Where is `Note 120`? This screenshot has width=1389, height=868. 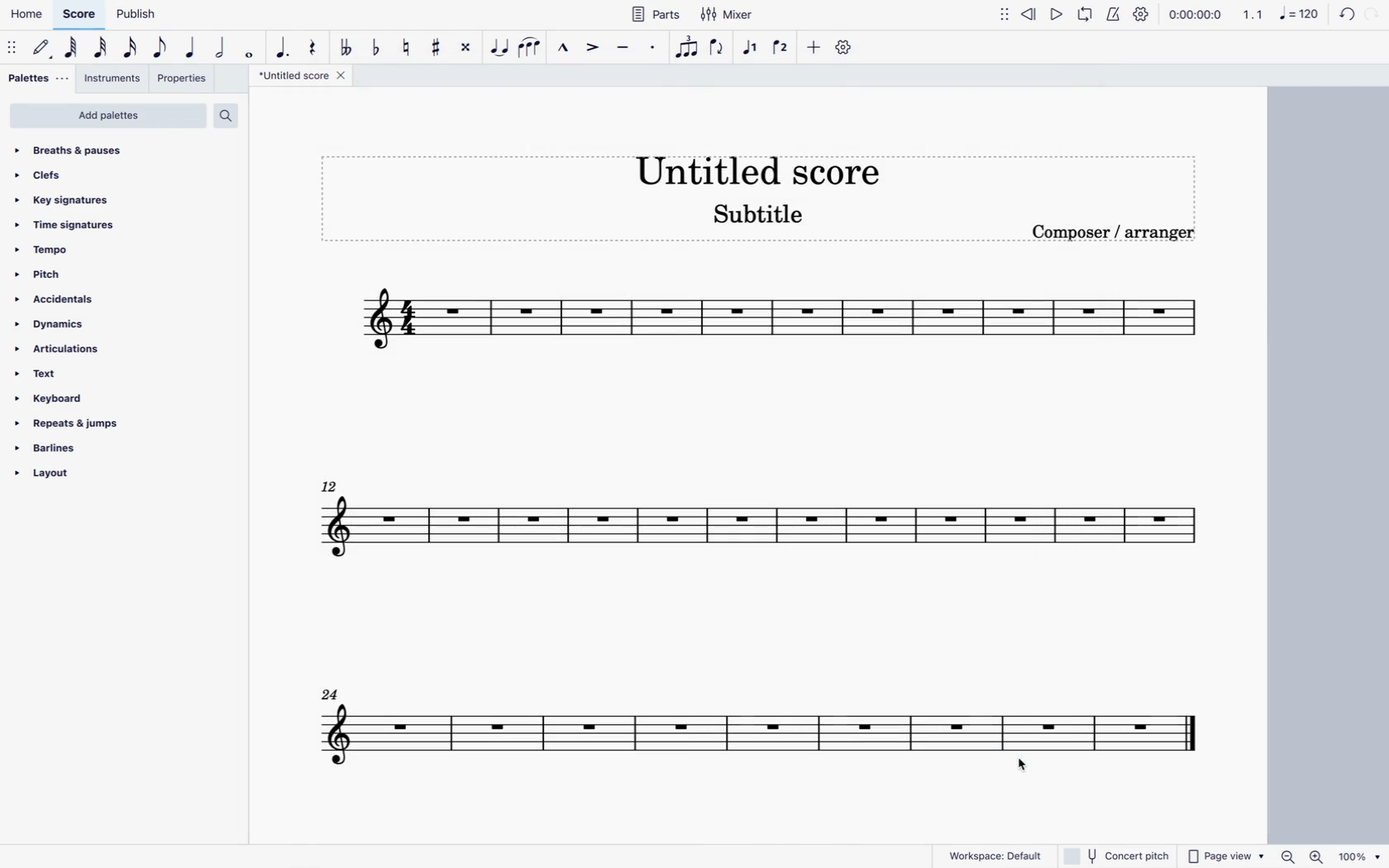 Note 120 is located at coordinates (1302, 17).